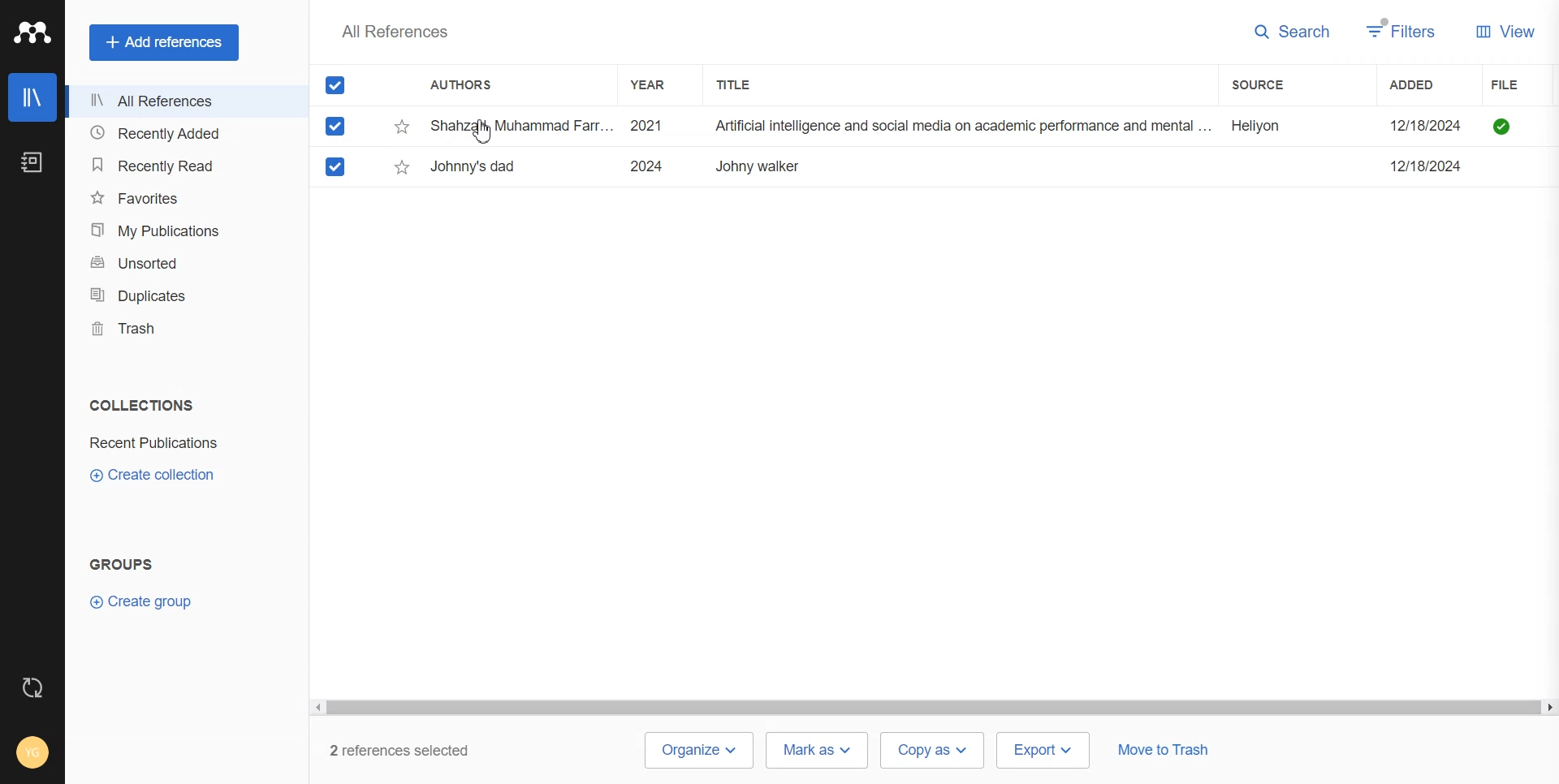 This screenshot has width=1559, height=784. I want to click on Filters, so click(1402, 31).